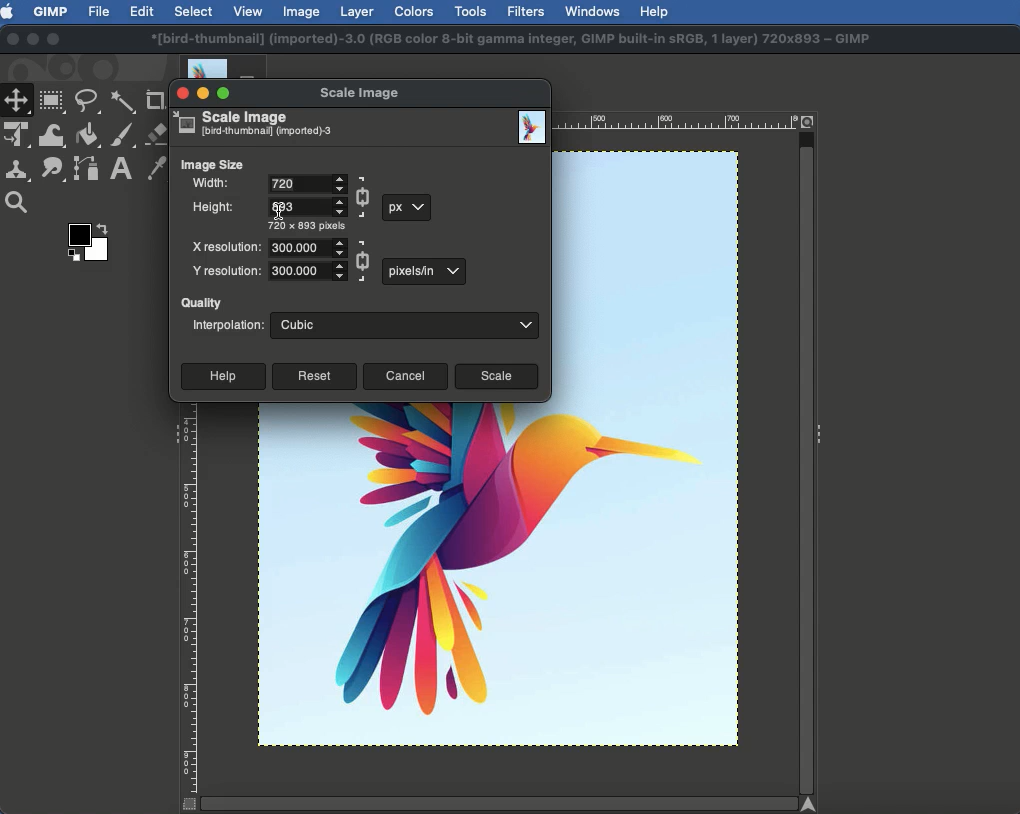 The height and width of the screenshot is (814, 1020). What do you see at coordinates (52, 101) in the screenshot?
I see `Rectangular selector` at bounding box center [52, 101].